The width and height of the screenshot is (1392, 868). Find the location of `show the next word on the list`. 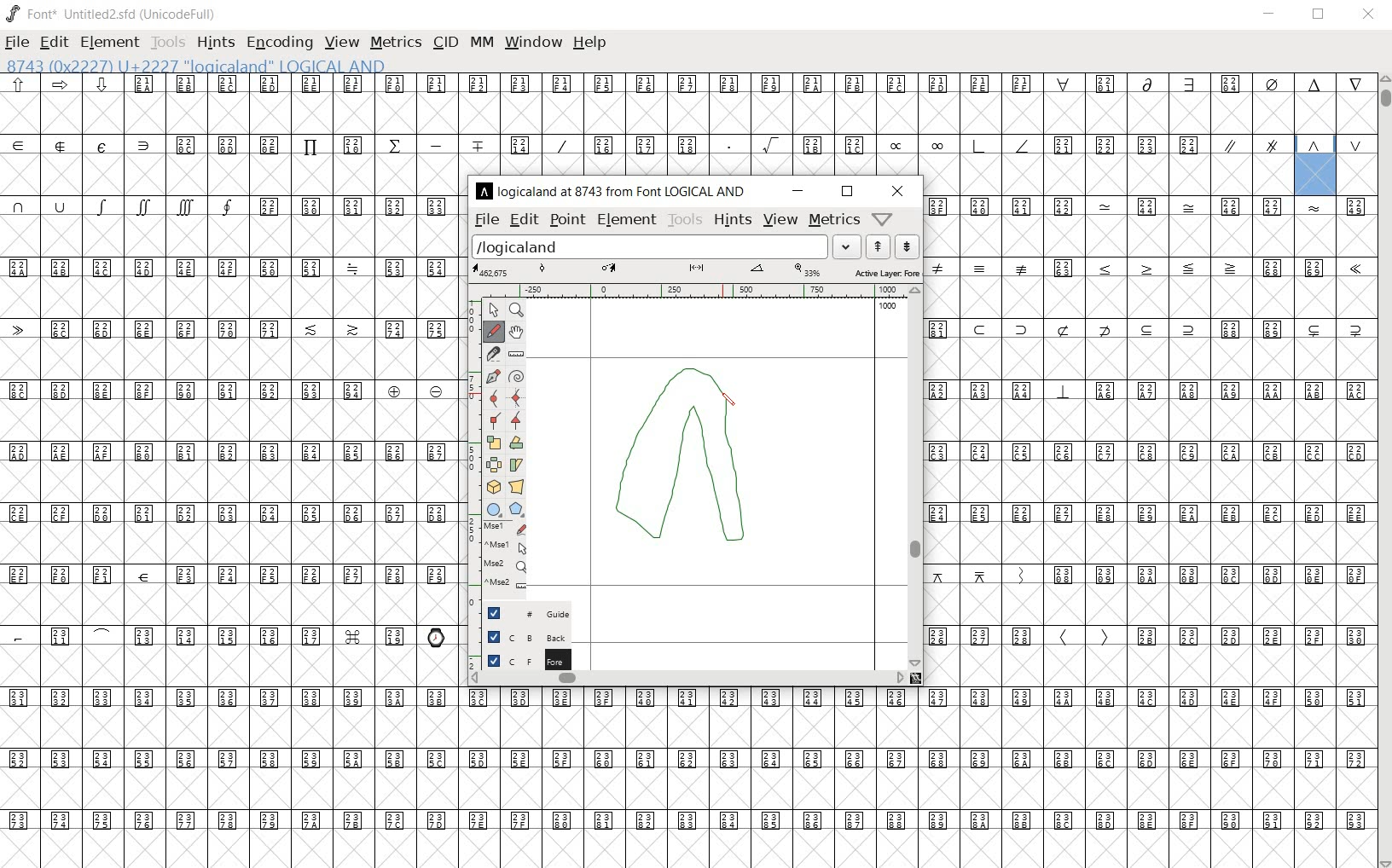

show the next word on the list is located at coordinates (879, 246).